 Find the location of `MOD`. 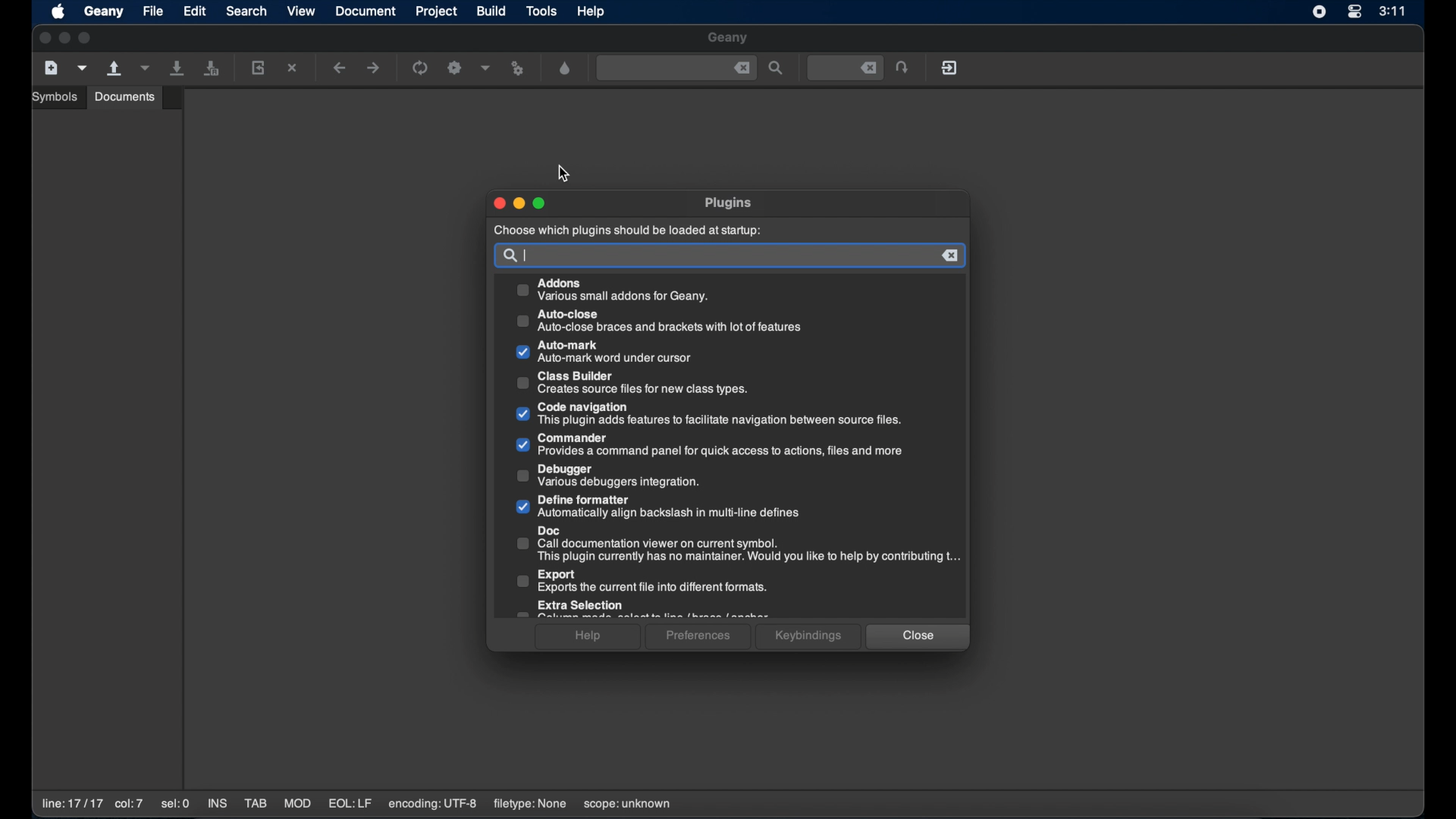

MOD is located at coordinates (297, 804).